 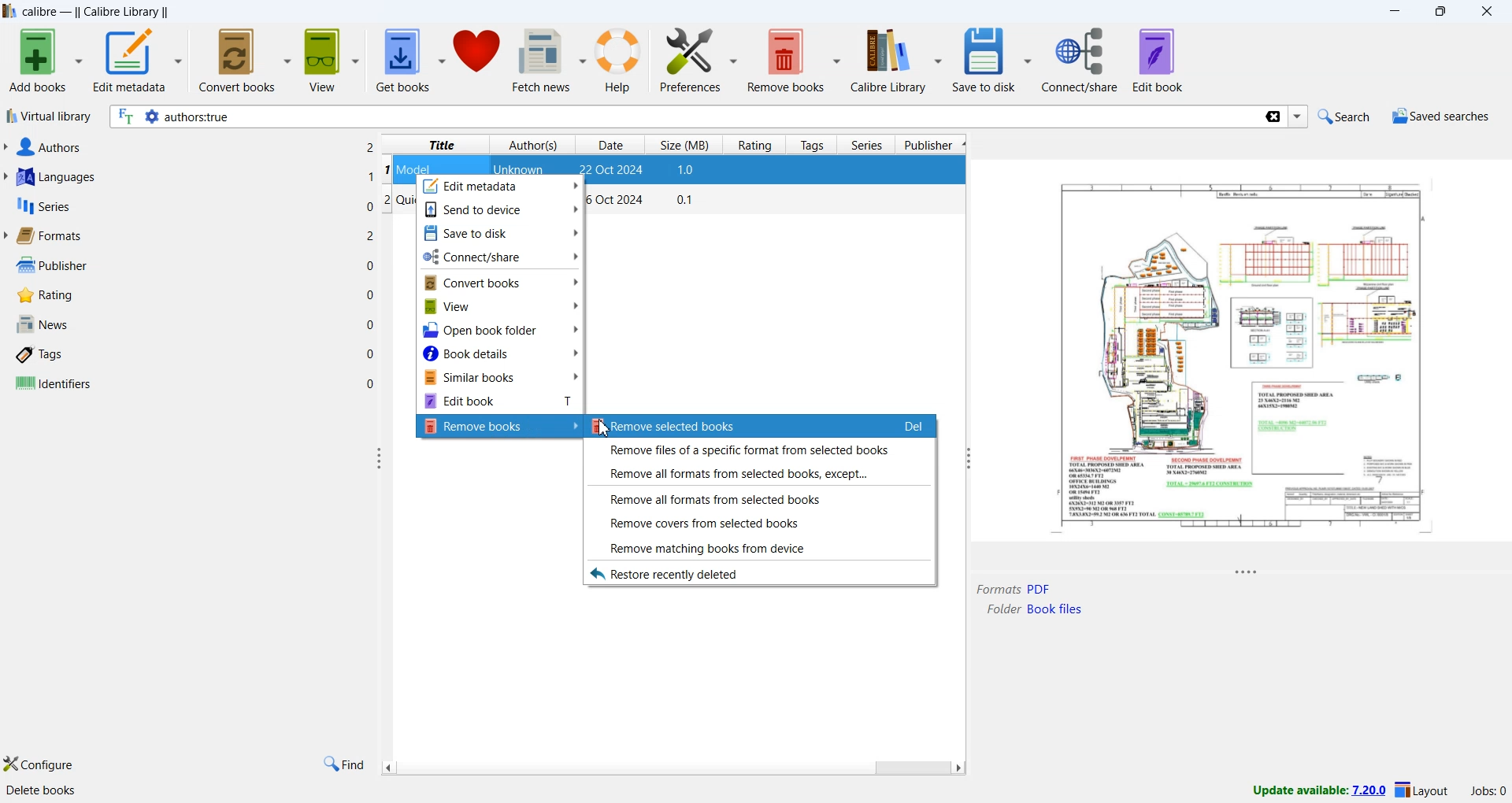 What do you see at coordinates (1311, 790) in the screenshot?
I see `update available` at bounding box center [1311, 790].